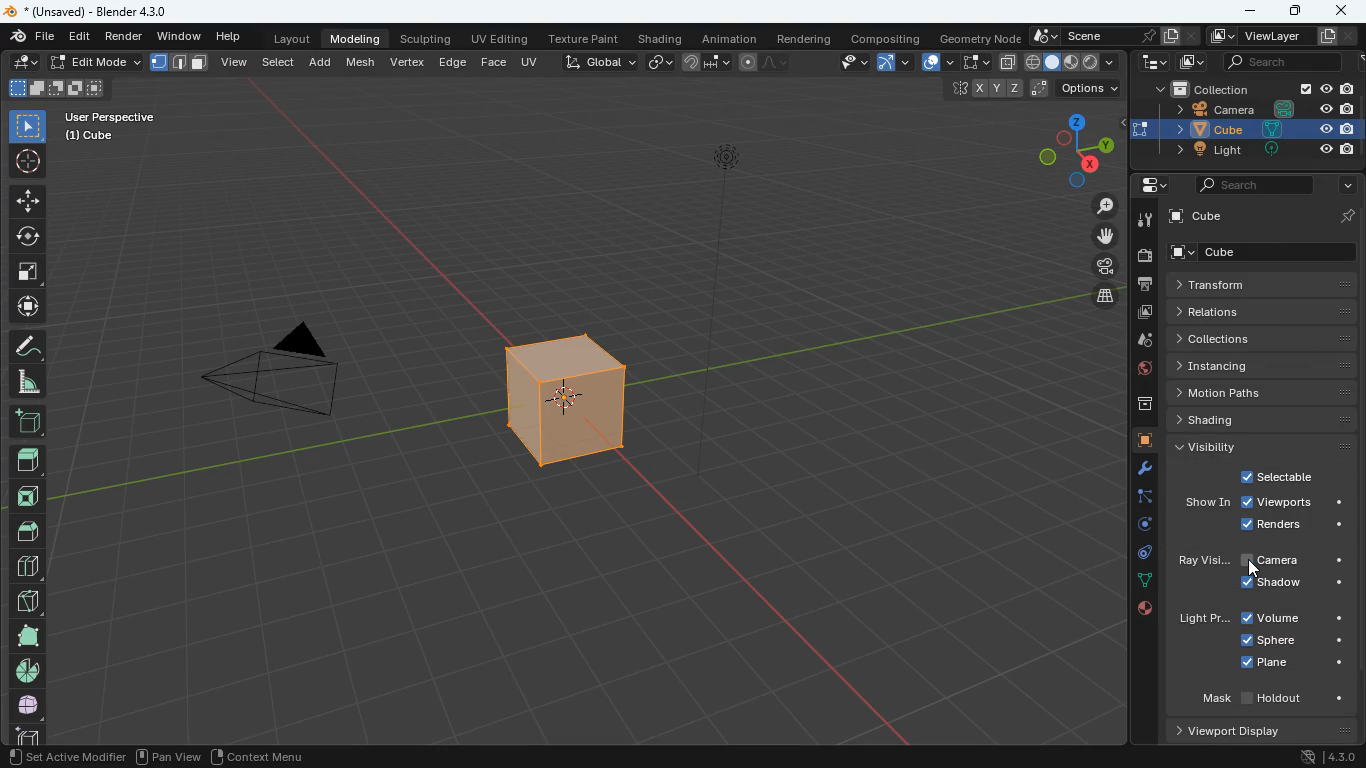 This screenshot has width=1366, height=768. Describe the element at coordinates (1294, 619) in the screenshot. I see `volume` at that location.